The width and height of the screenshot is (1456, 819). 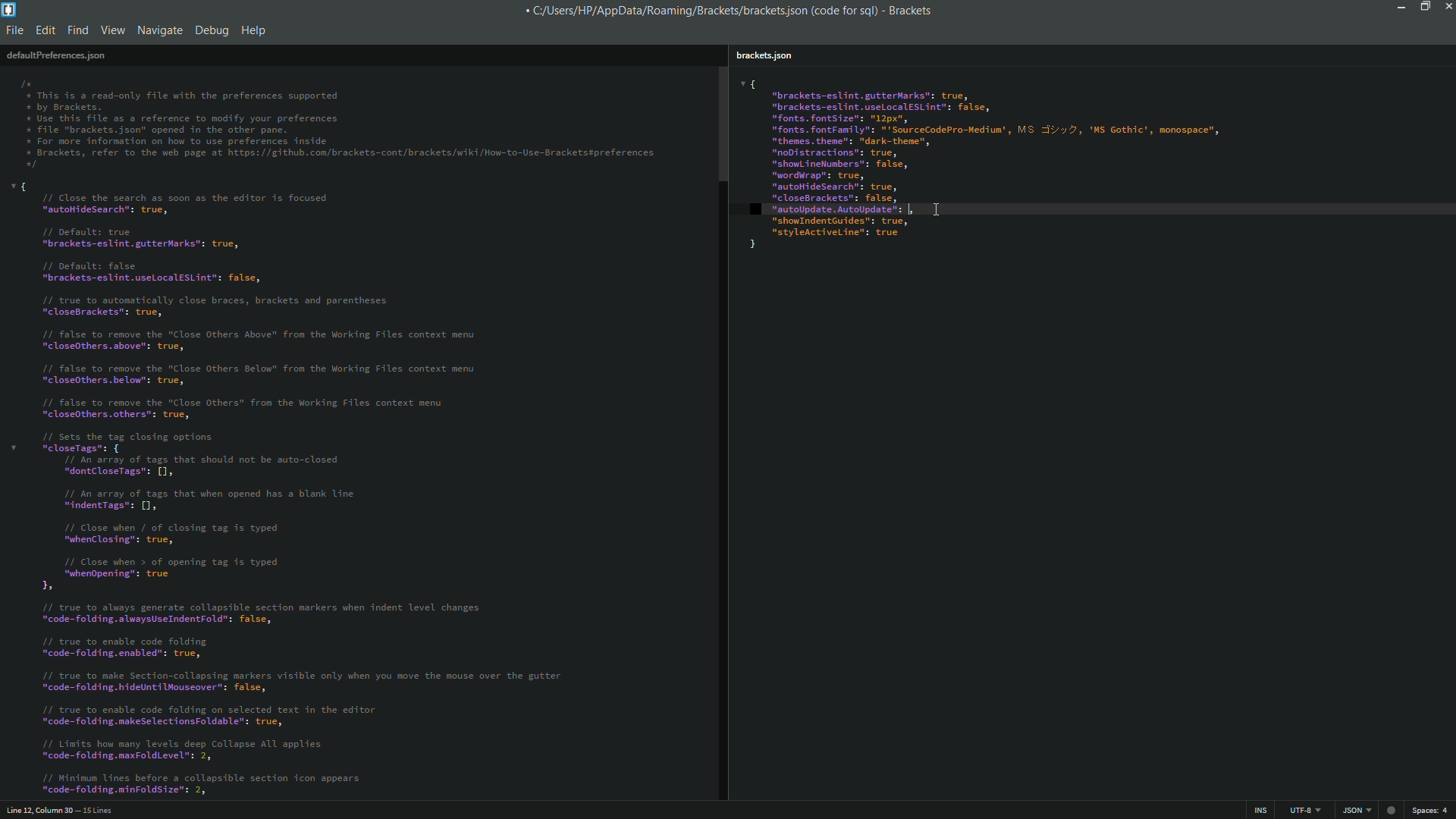 I want to click on navigate menu, so click(x=158, y=30).